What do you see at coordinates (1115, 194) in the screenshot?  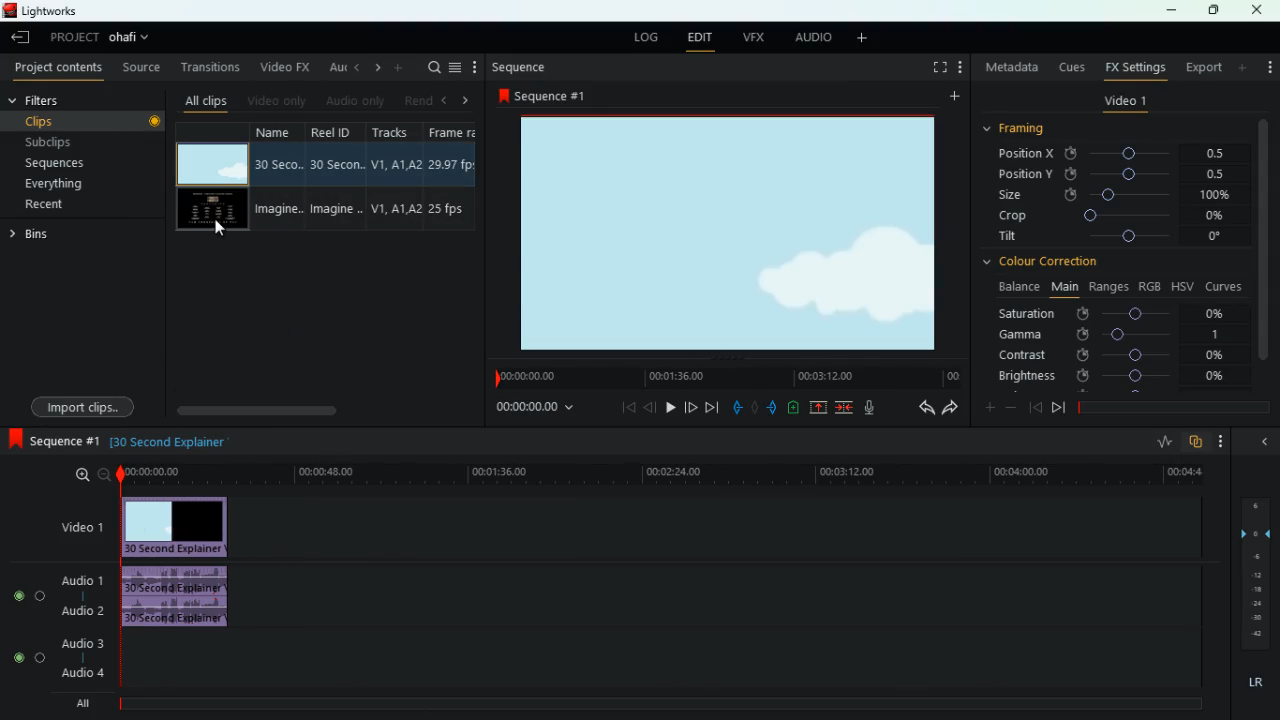 I see `size` at bounding box center [1115, 194].